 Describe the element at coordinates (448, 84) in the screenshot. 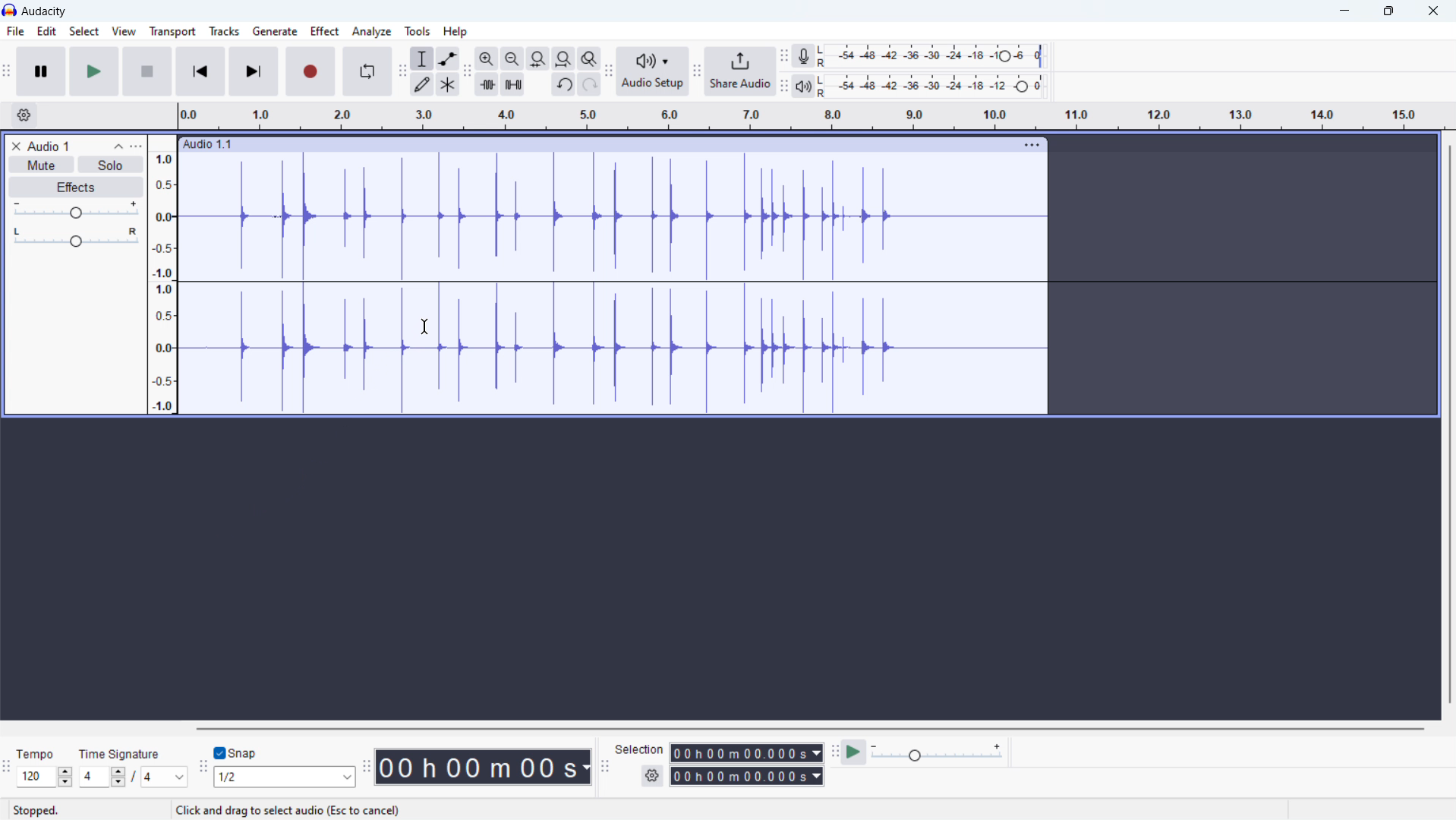

I see `multi tool` at that location.